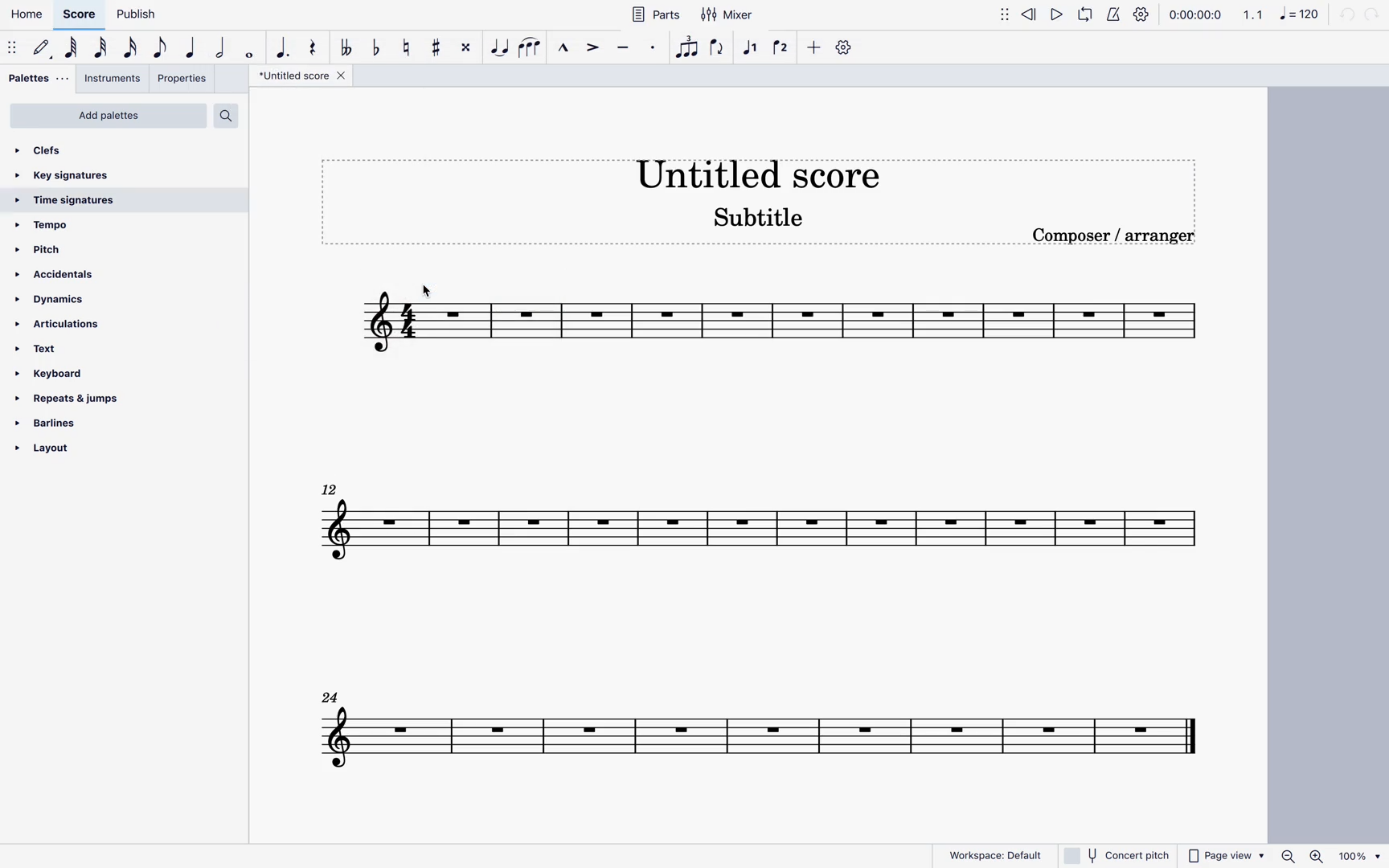  What do you see at coordinates (226, 117) in the screenshot?
I see `search` at bounding box center [226, 117].